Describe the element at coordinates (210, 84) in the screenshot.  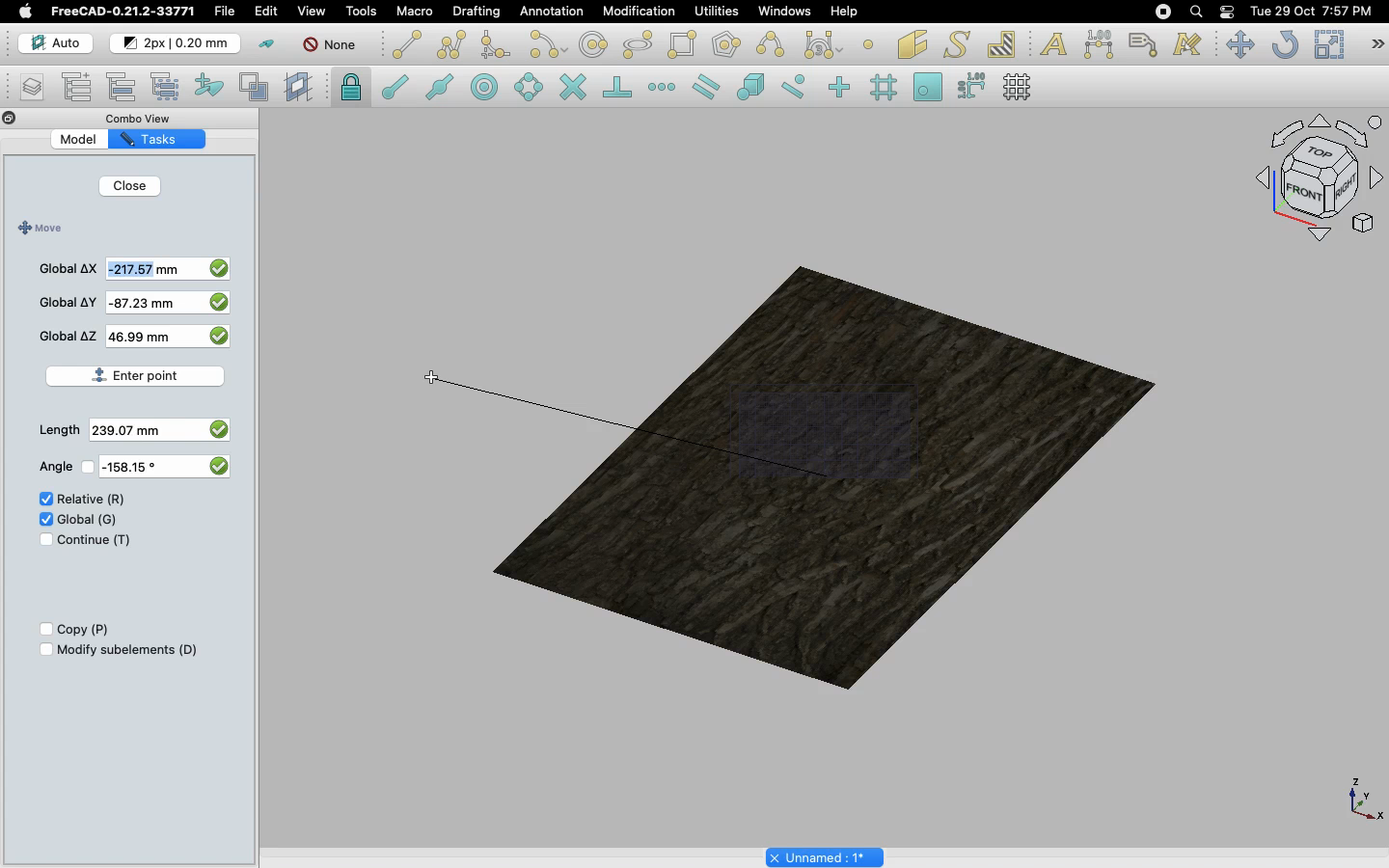
I see `Add to construction group` at that location.